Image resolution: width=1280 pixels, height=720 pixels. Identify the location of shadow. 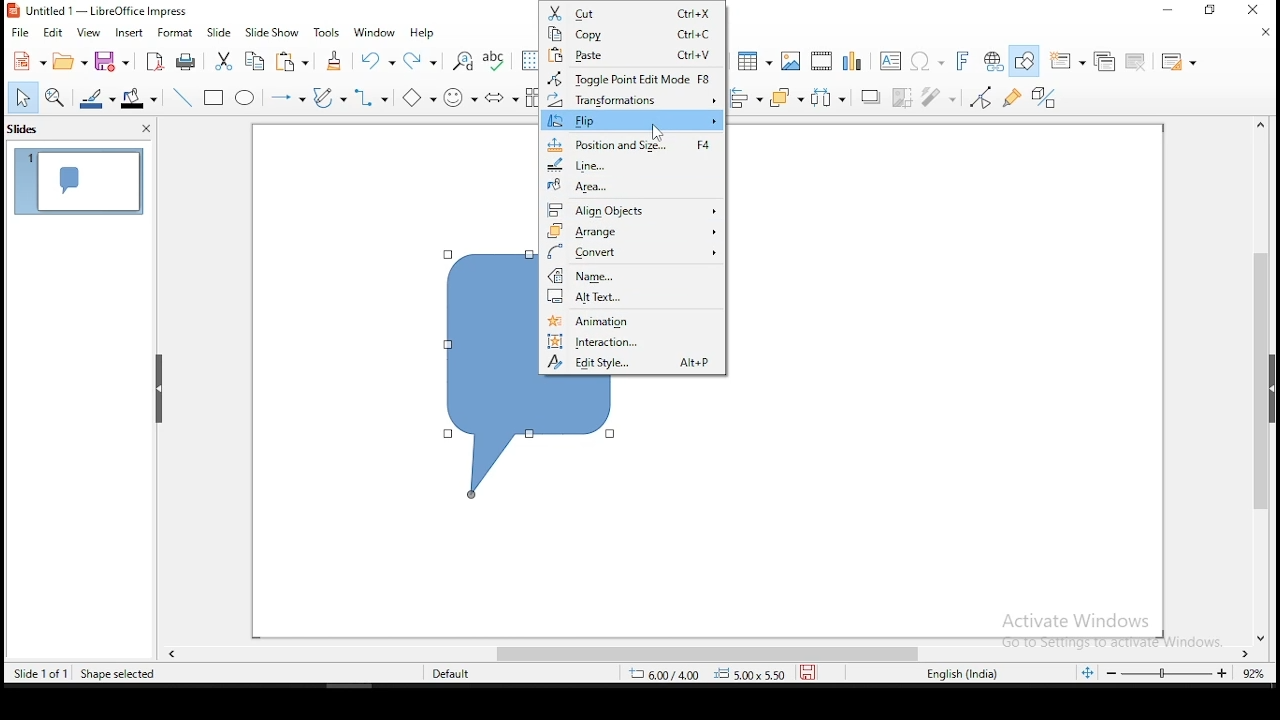
(867, 97).